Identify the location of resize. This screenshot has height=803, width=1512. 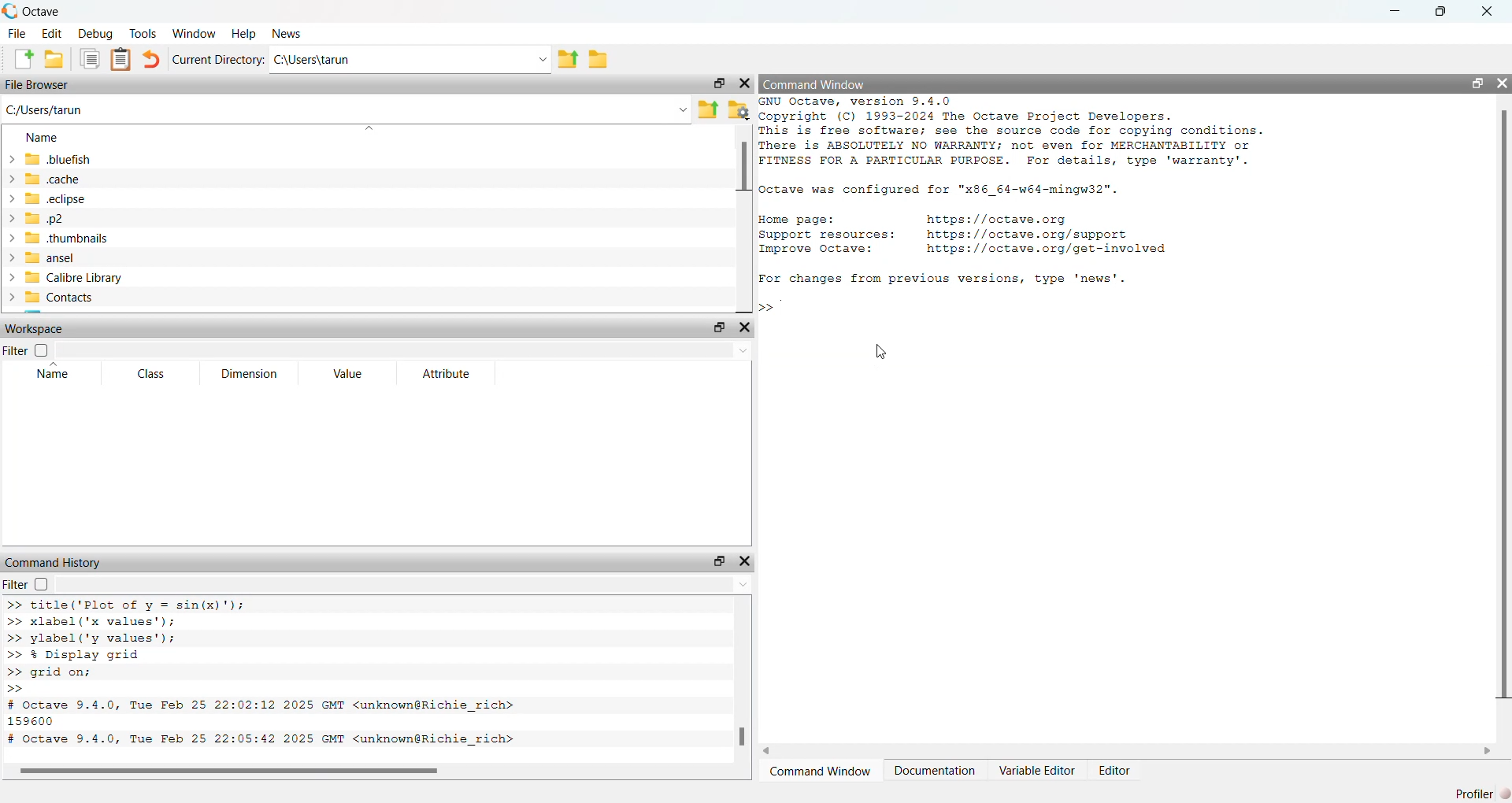
(721, 83).